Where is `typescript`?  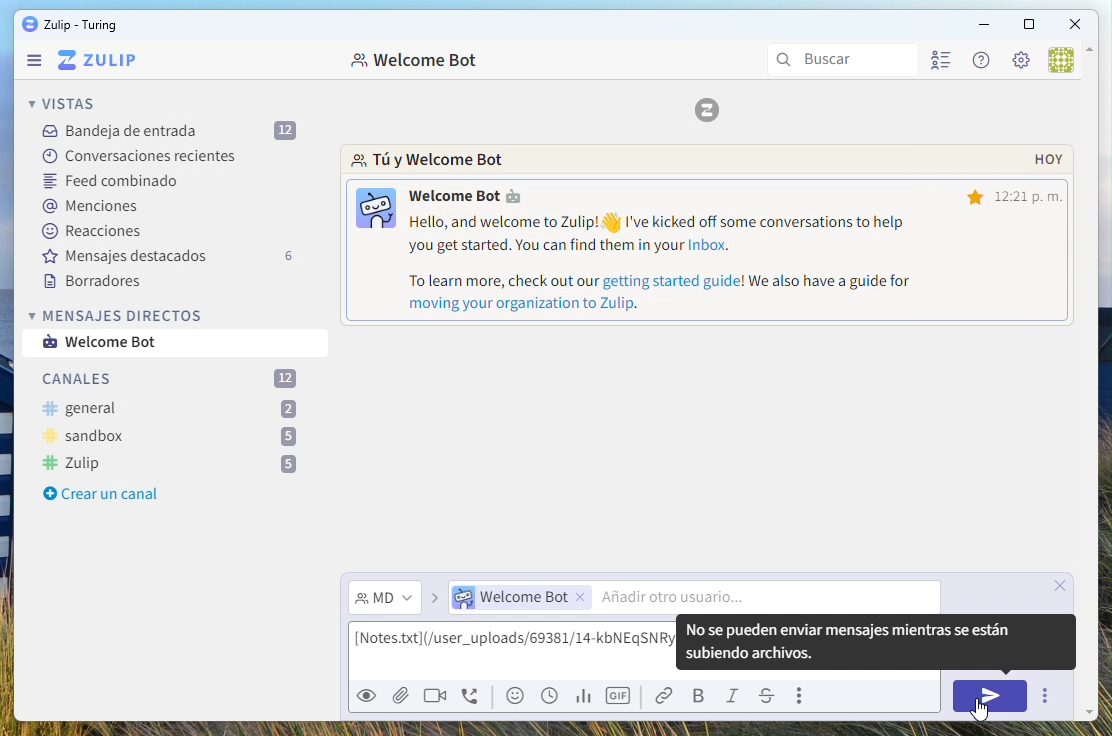
typescript is located at coordinates (767, 697).